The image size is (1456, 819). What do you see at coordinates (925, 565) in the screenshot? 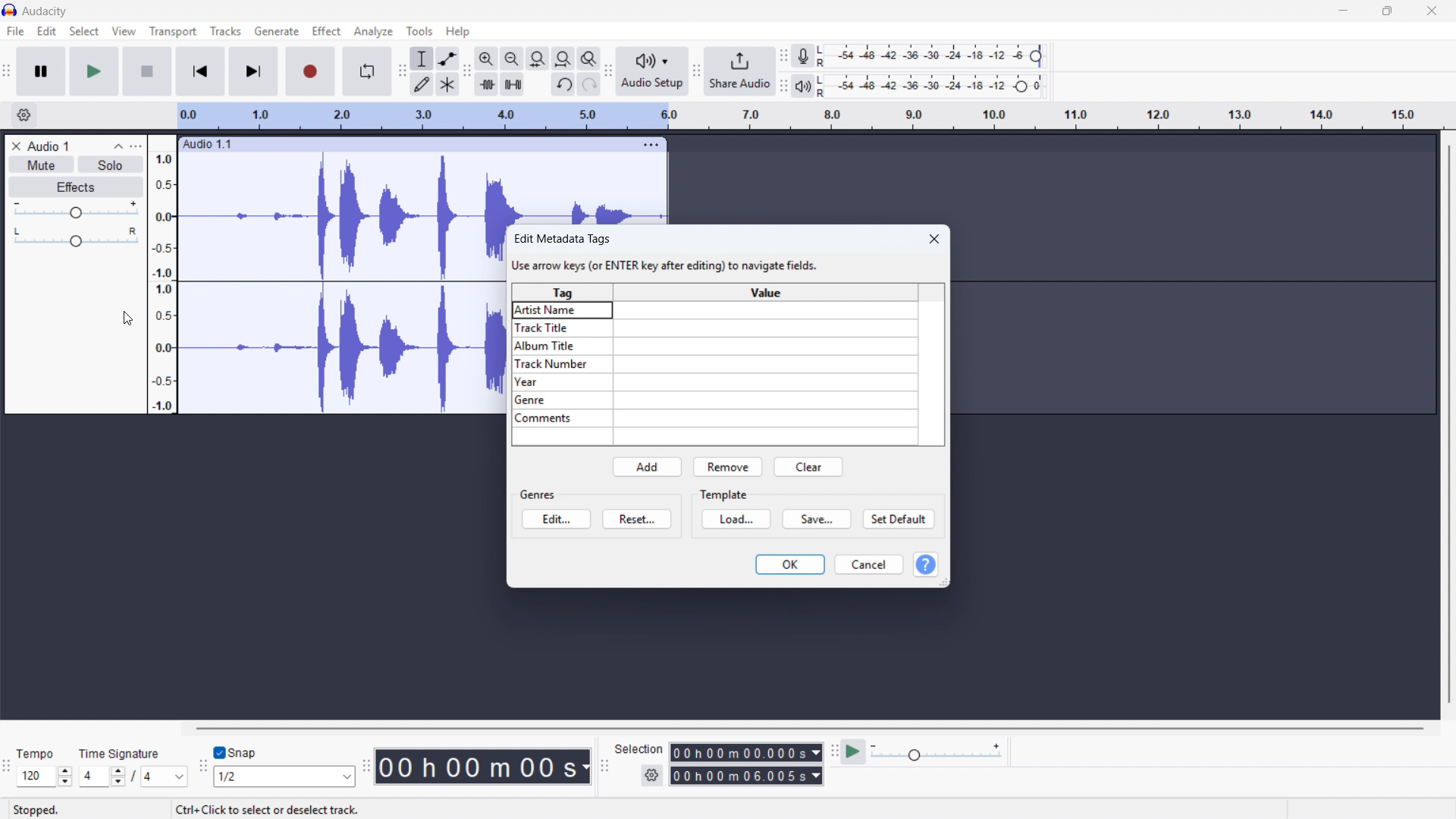
I see `help` at bounding box center [925, 565].